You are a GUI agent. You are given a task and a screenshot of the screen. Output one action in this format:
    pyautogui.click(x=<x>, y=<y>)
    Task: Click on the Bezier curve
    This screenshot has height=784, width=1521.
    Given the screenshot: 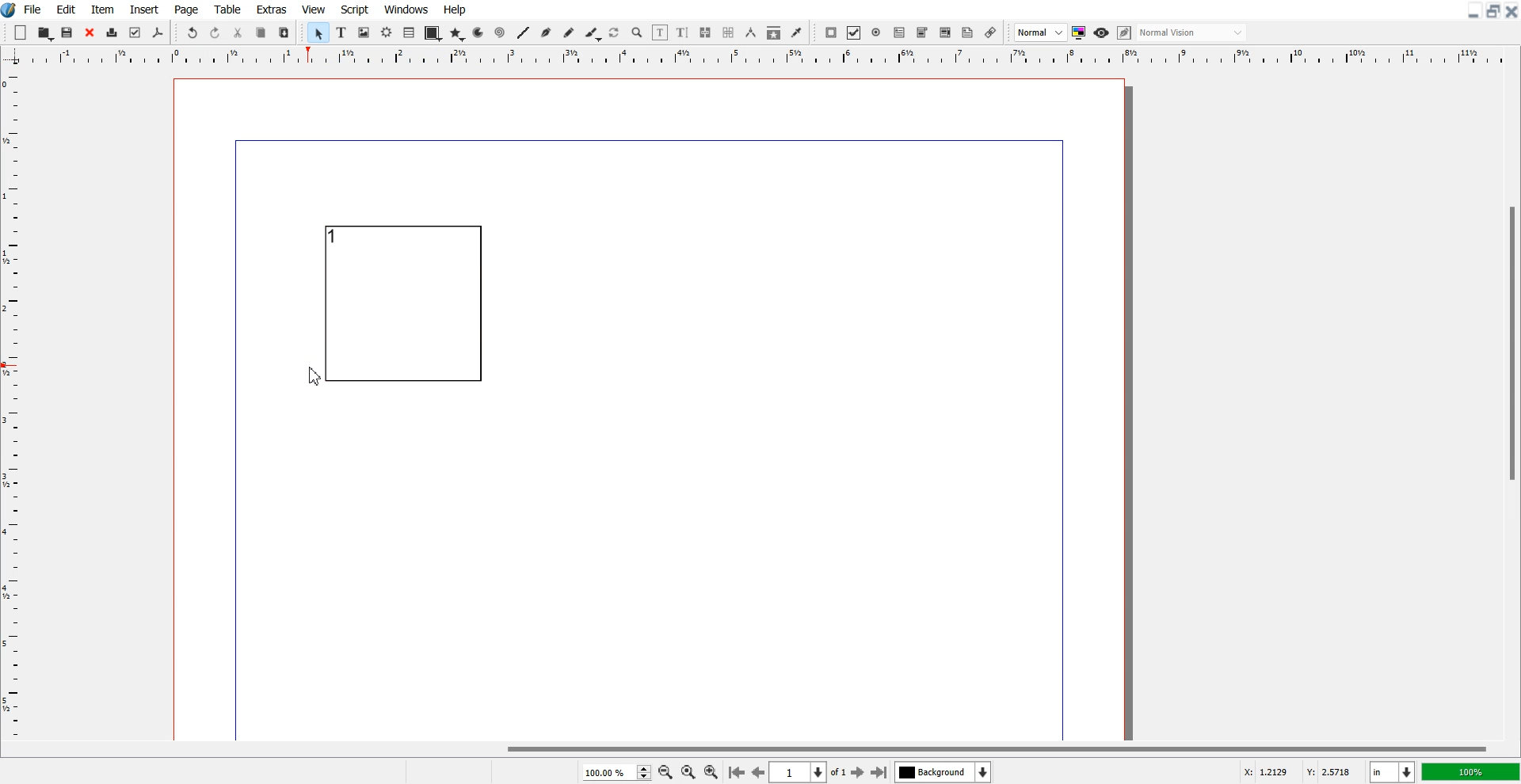 What is the action you would take?
    pyautogui.click(x=547, y=33)
    